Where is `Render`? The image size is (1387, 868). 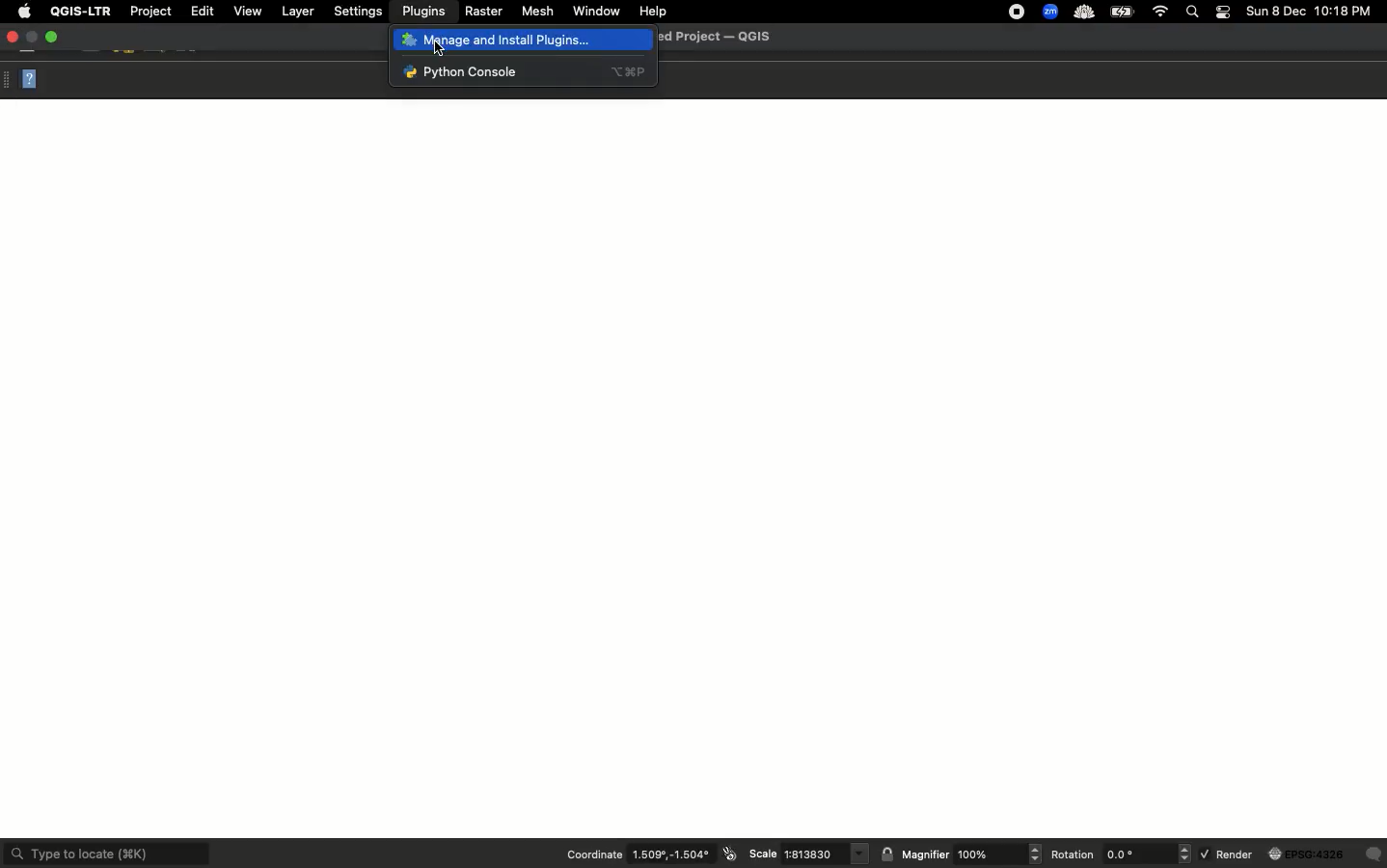
Render is located at coordinates (1292, 856).